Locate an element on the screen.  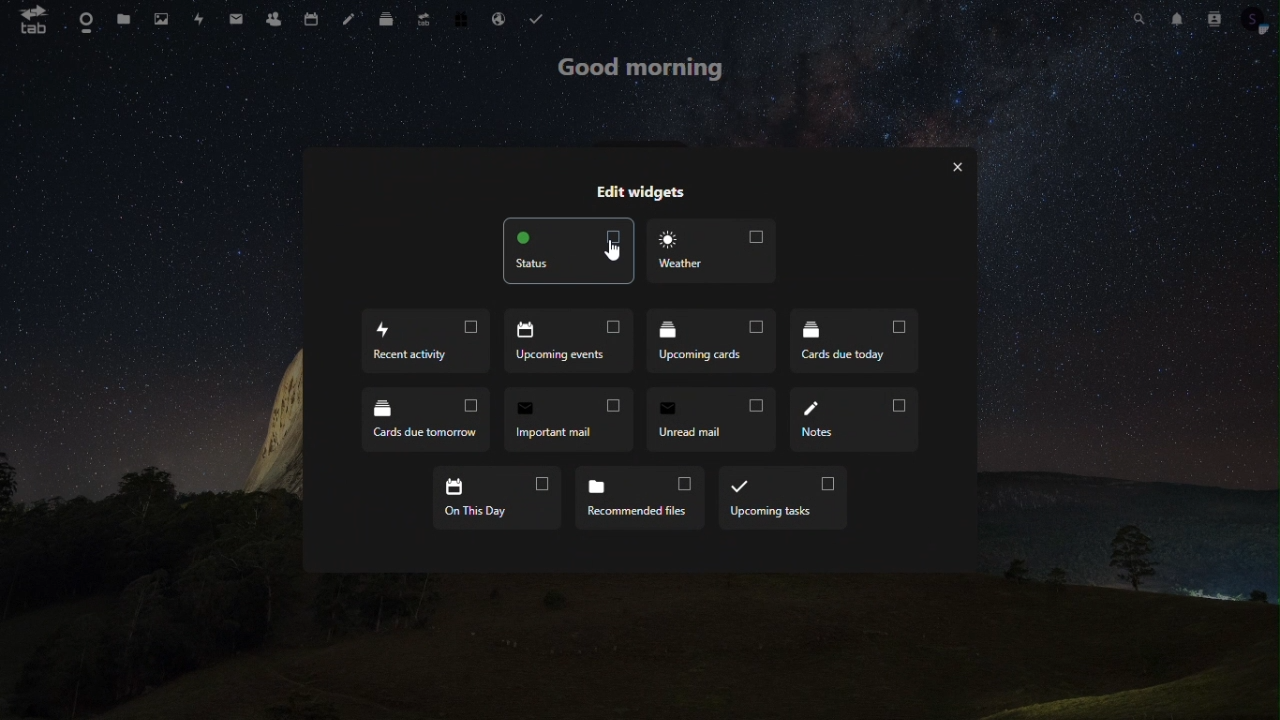
search is located at coordinates (1142, 18).